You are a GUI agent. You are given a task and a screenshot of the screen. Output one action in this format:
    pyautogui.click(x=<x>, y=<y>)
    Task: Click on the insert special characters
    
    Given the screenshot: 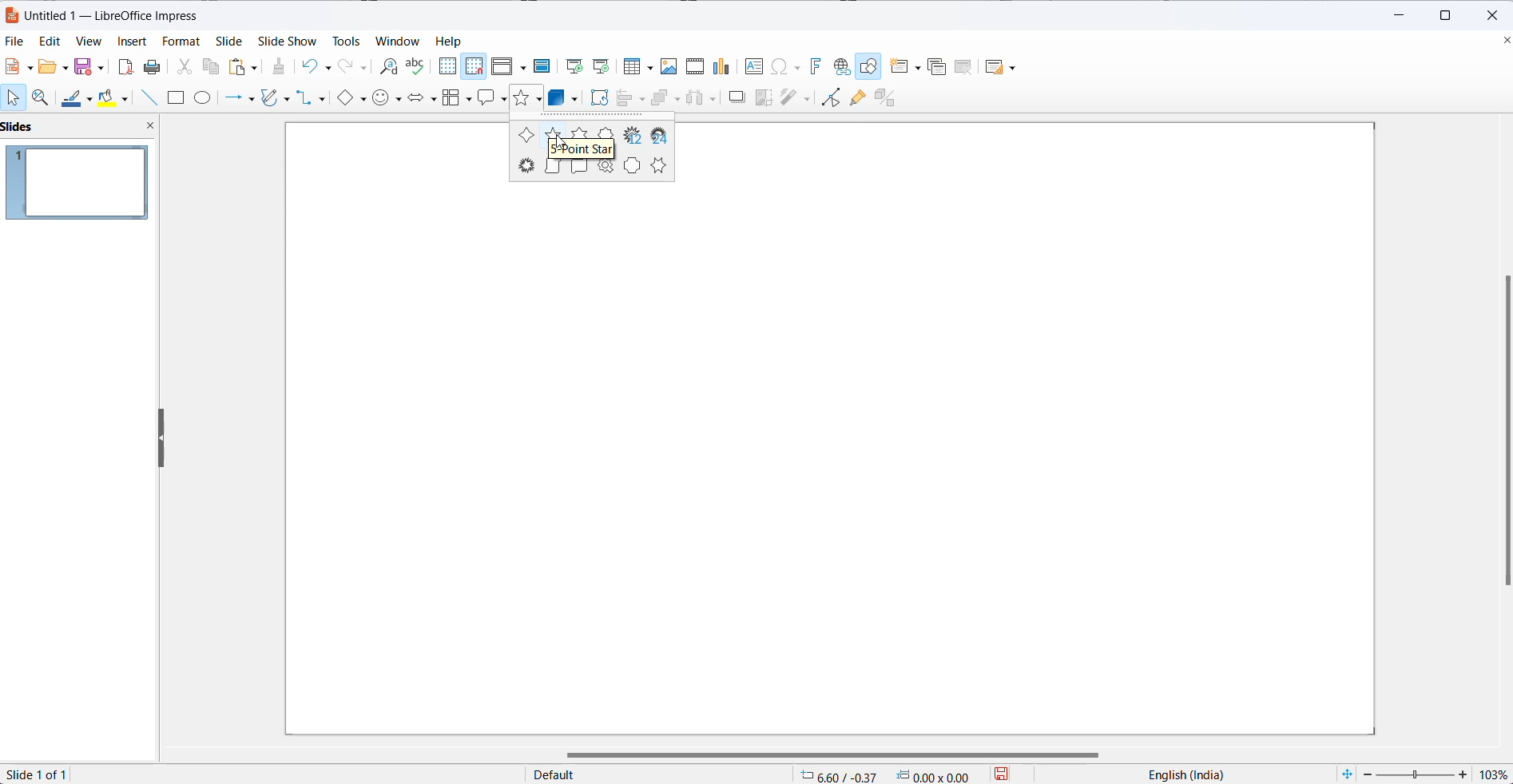 What is the action you would take?
    pyautogui.click(x=785, y=66)
    